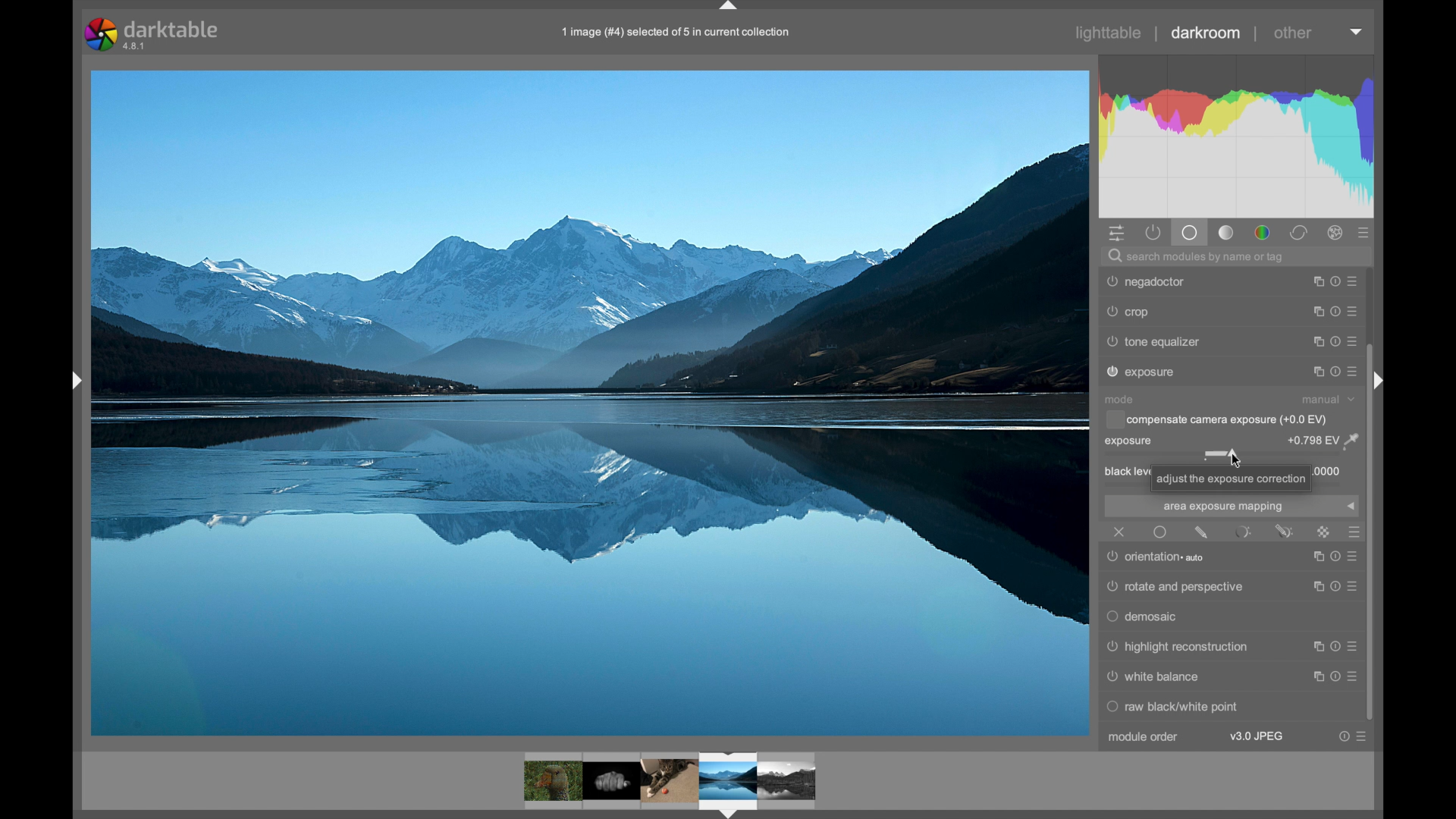  I want to click on raster mask, so click(1324, 532).